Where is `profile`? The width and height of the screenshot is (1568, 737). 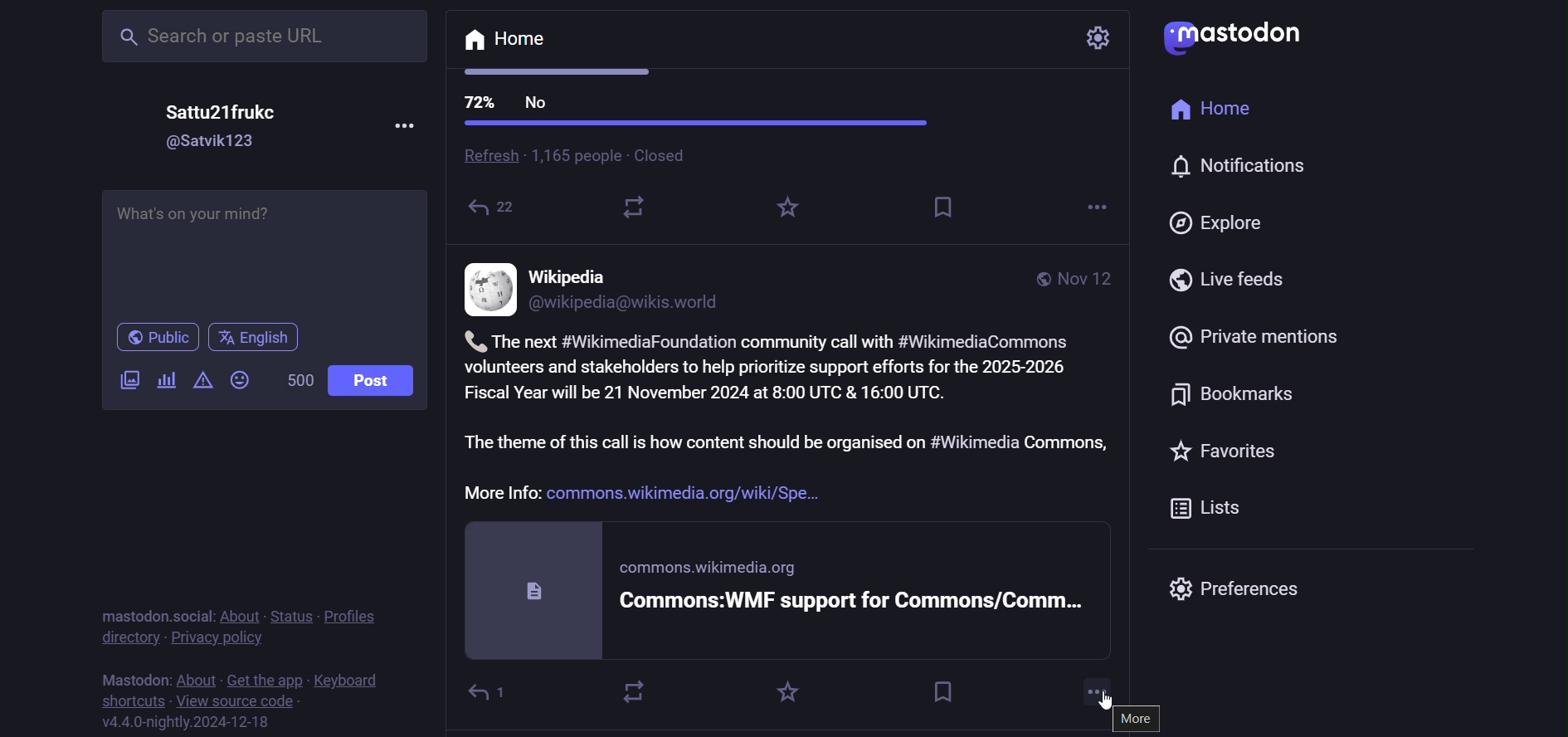 profile is located at coordinates (350, 616).